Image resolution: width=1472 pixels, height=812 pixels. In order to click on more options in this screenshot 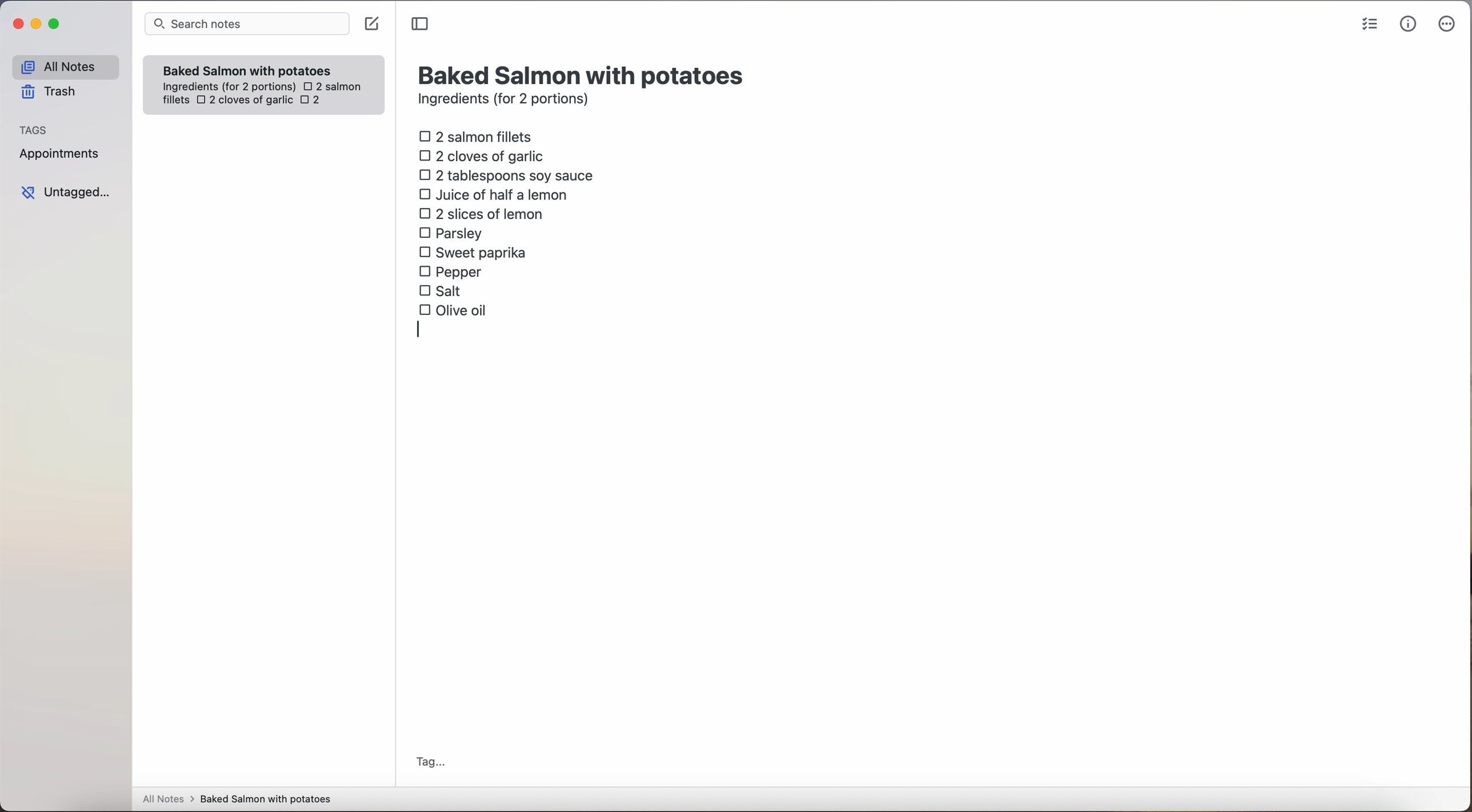, I will do `click(1449, 25)`.